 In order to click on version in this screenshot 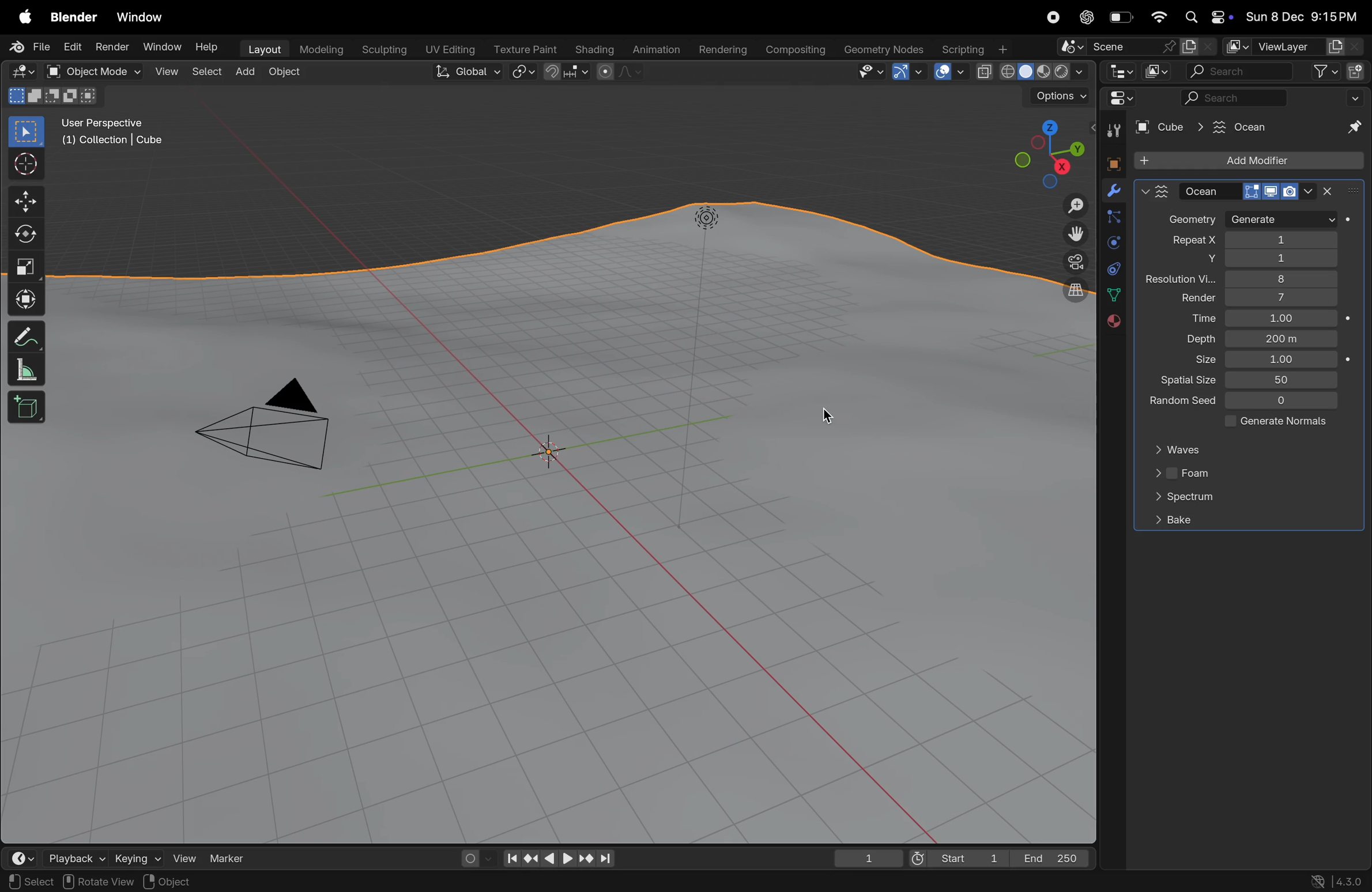, I will do `click(1338, 880)`.